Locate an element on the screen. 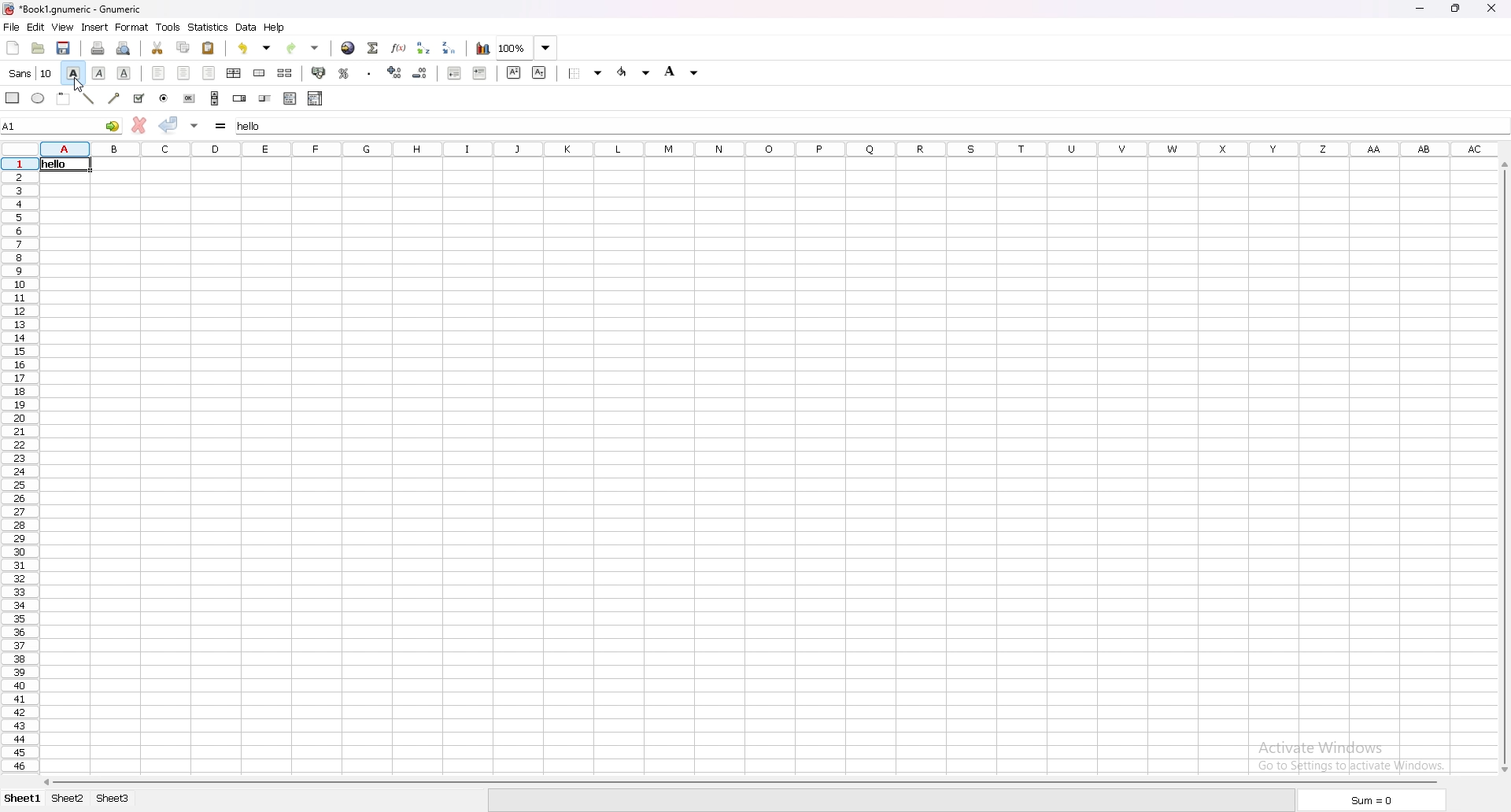 The image size is (1511, 812). sum=0 is located at coordinates (1373, 799).